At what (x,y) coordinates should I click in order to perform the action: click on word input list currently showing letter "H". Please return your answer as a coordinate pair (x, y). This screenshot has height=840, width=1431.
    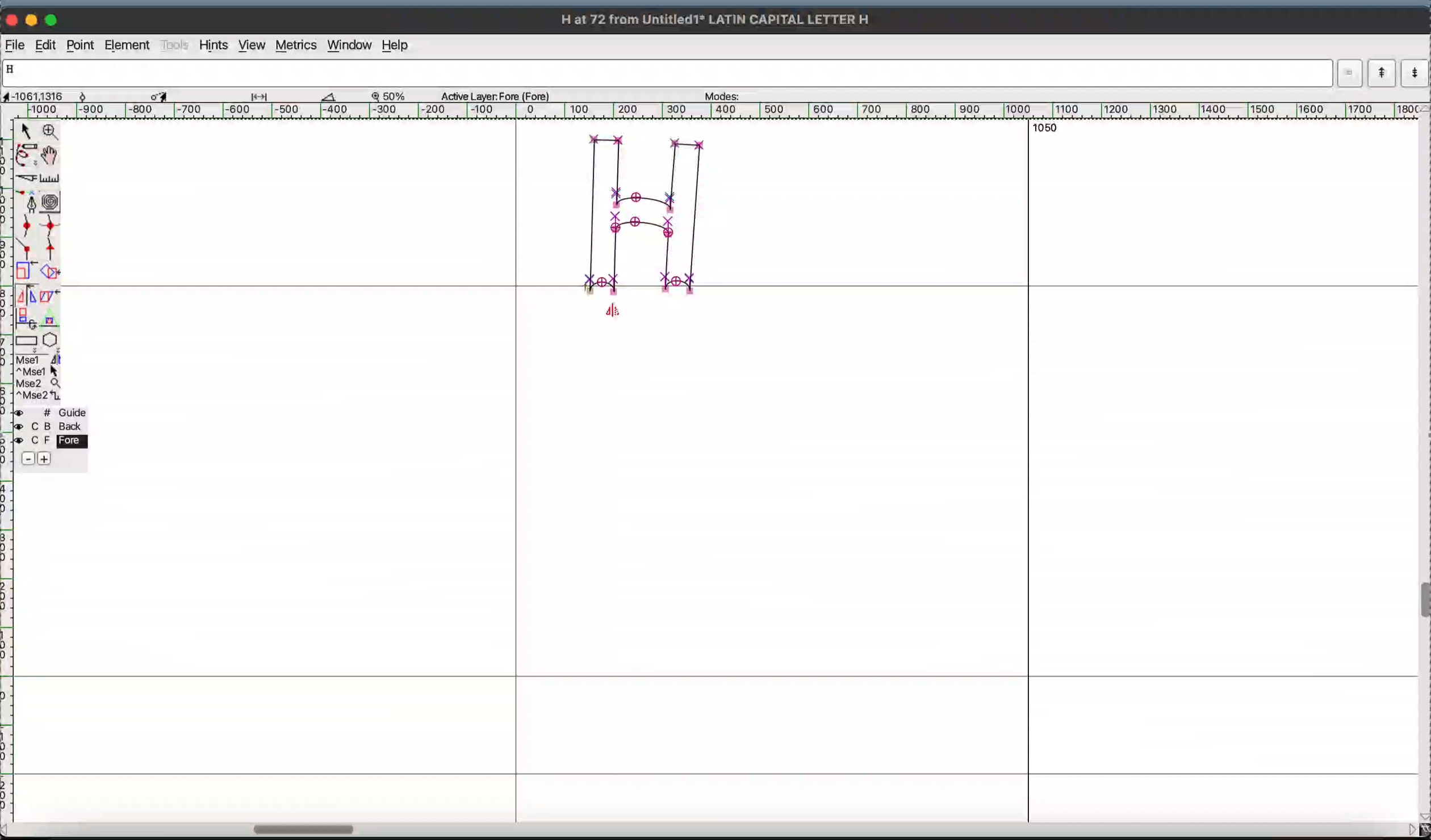
    Looking at the image, I should click on (667, 72).